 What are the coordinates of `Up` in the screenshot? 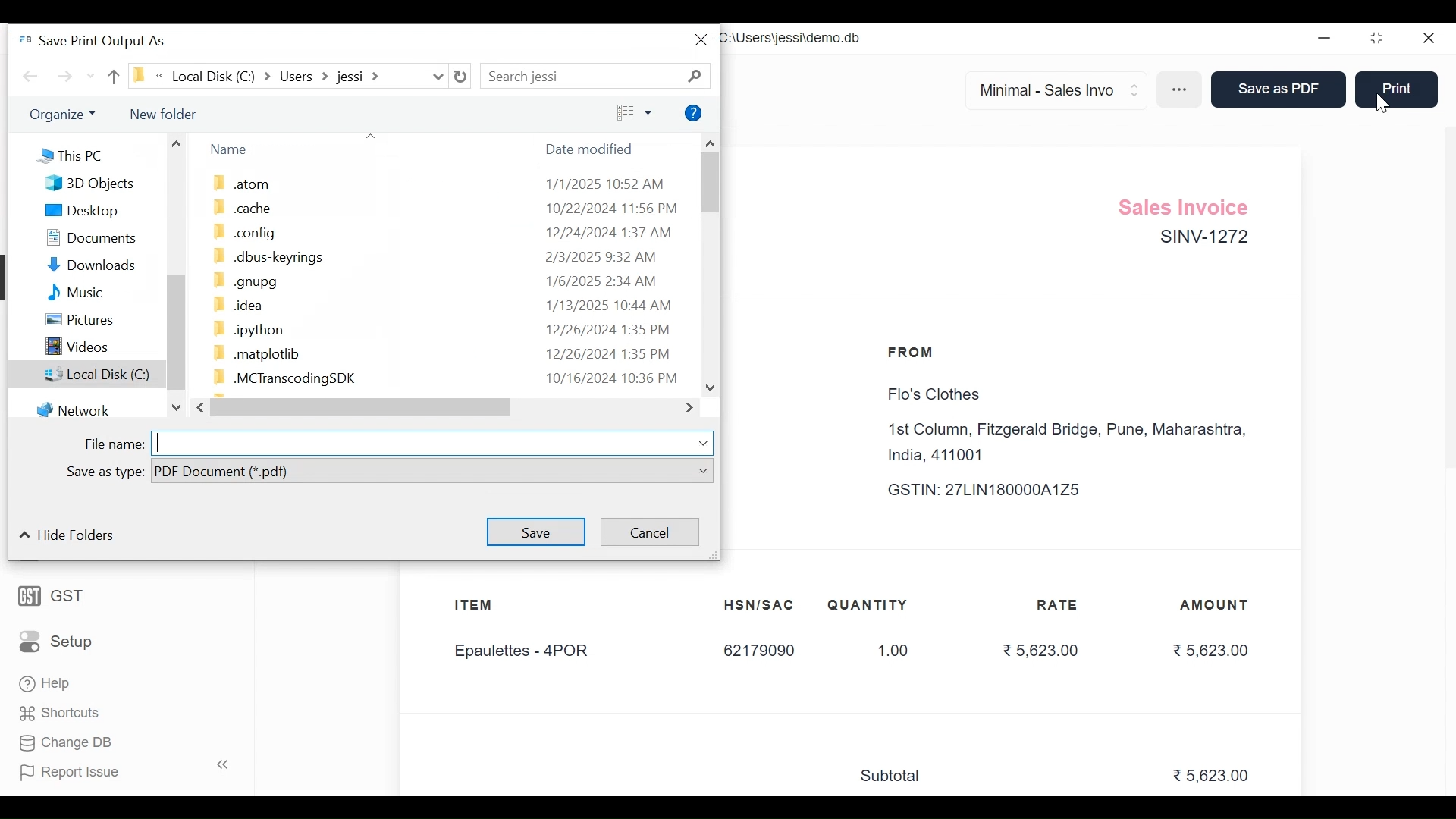 It's located at (111, 77).